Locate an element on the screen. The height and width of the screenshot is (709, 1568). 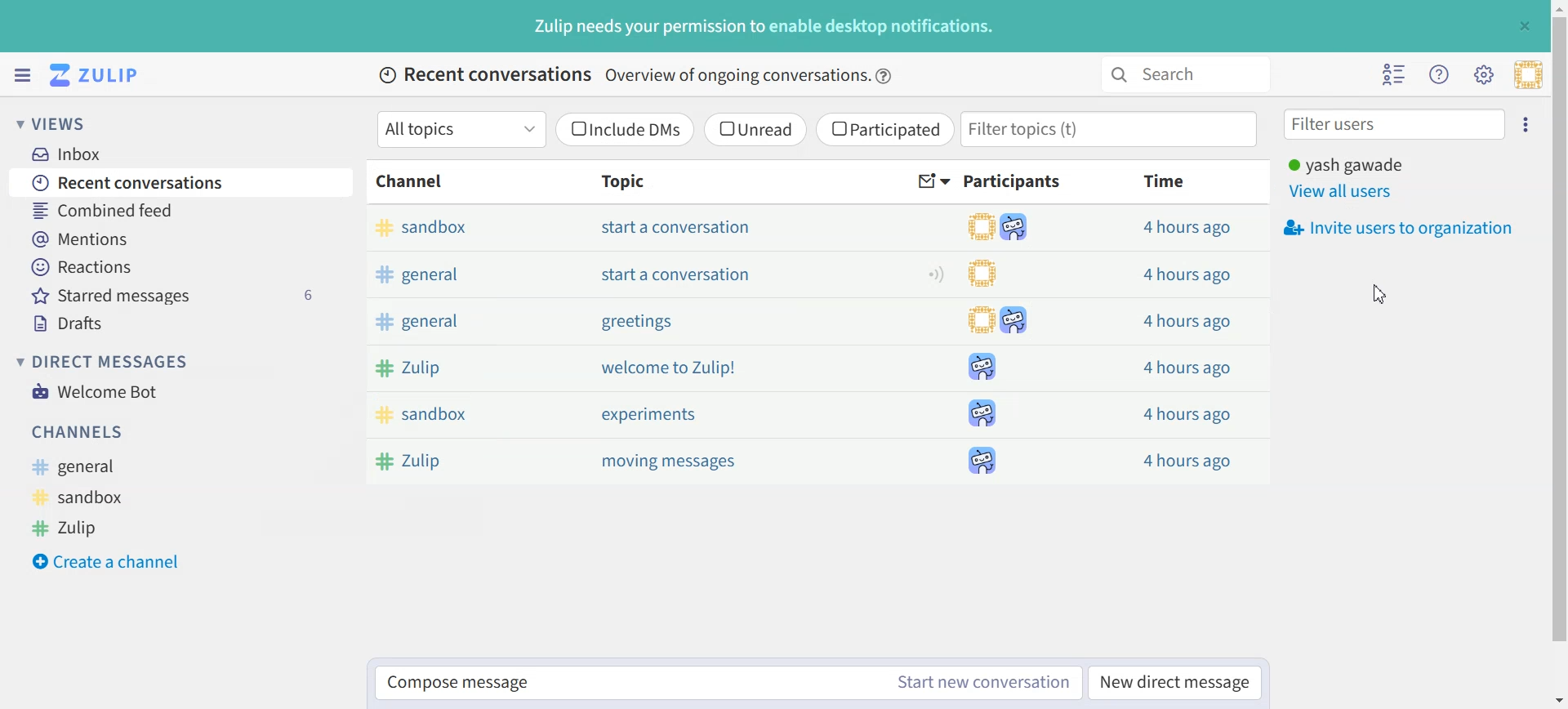
Compose message is located at coordinates (627, 684).